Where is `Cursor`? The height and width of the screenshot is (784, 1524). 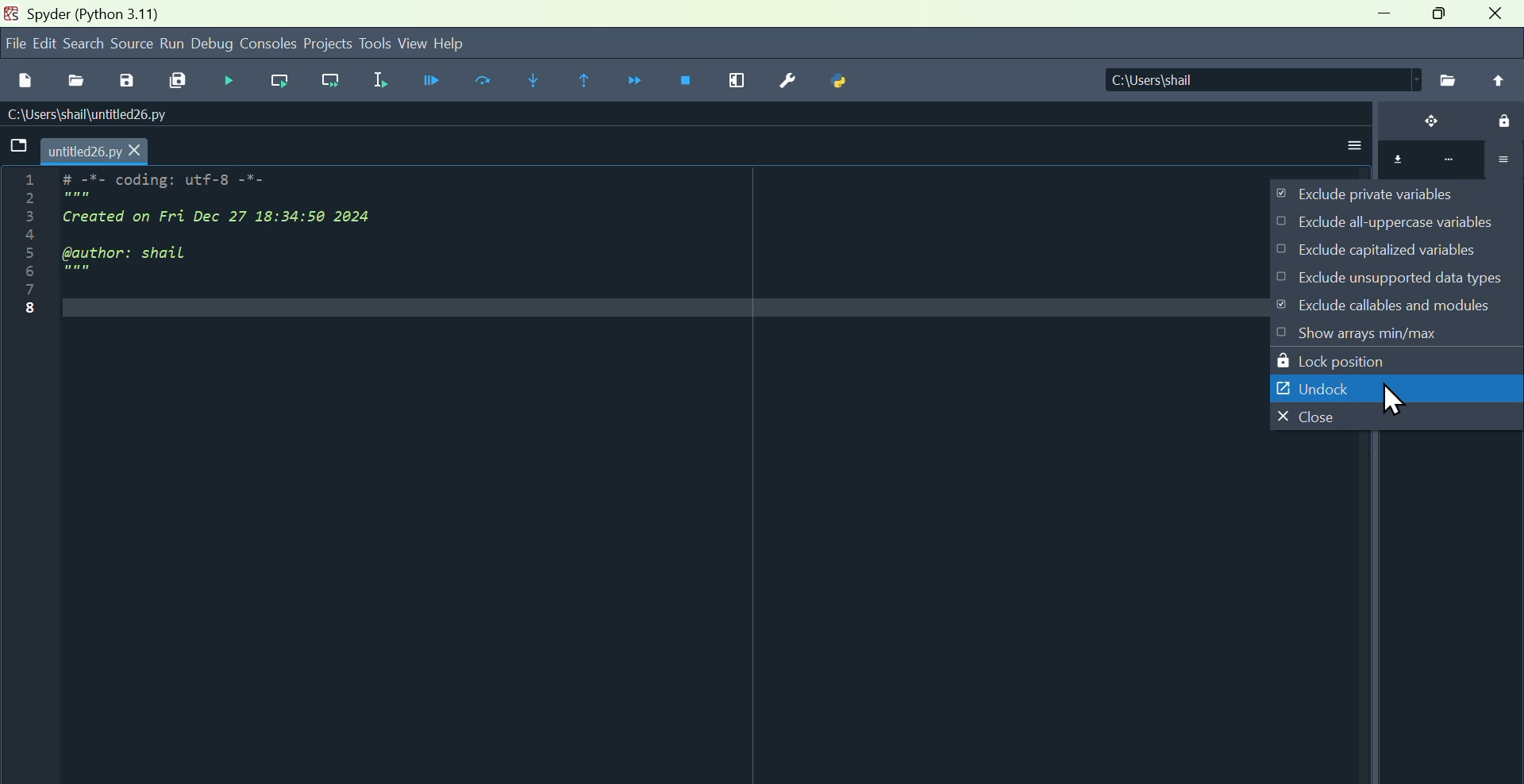 Cursor is located at coordinates (1391, 402).